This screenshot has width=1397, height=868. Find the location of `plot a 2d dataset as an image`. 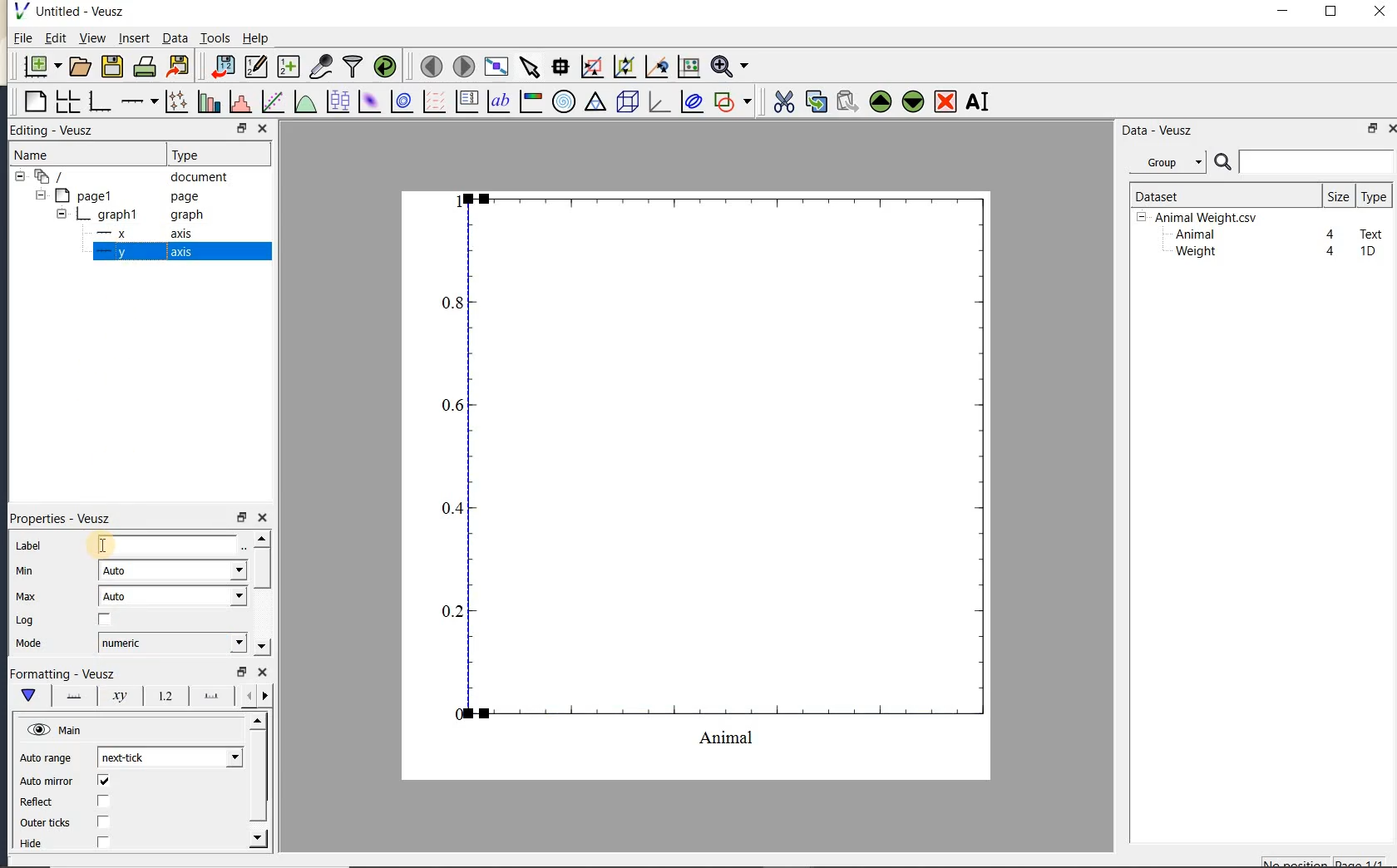

plot a 2d dataset as an image is located at coordinates (368, 101).